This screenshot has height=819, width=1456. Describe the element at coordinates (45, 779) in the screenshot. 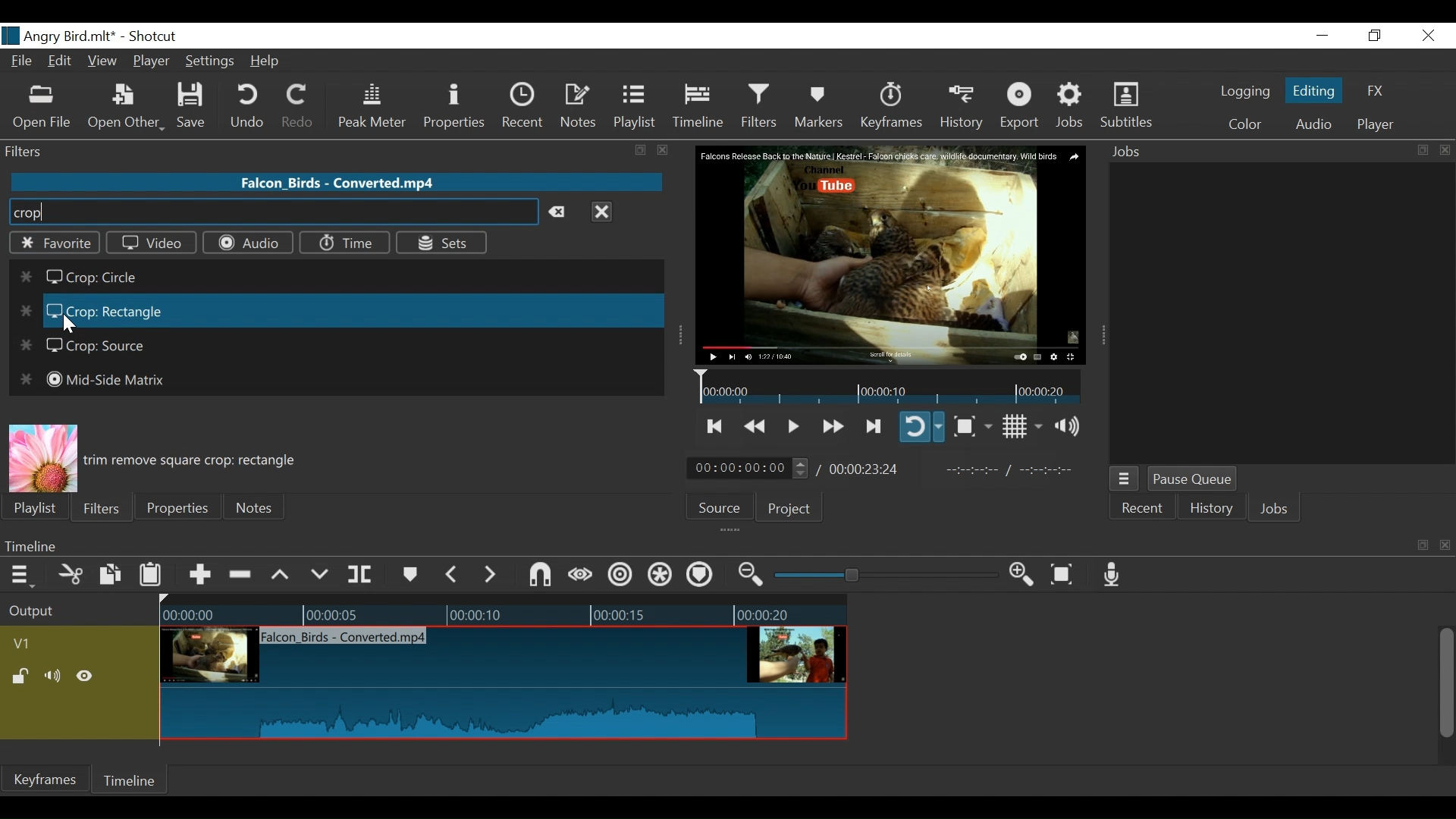

I see `Keyframes` at that location.